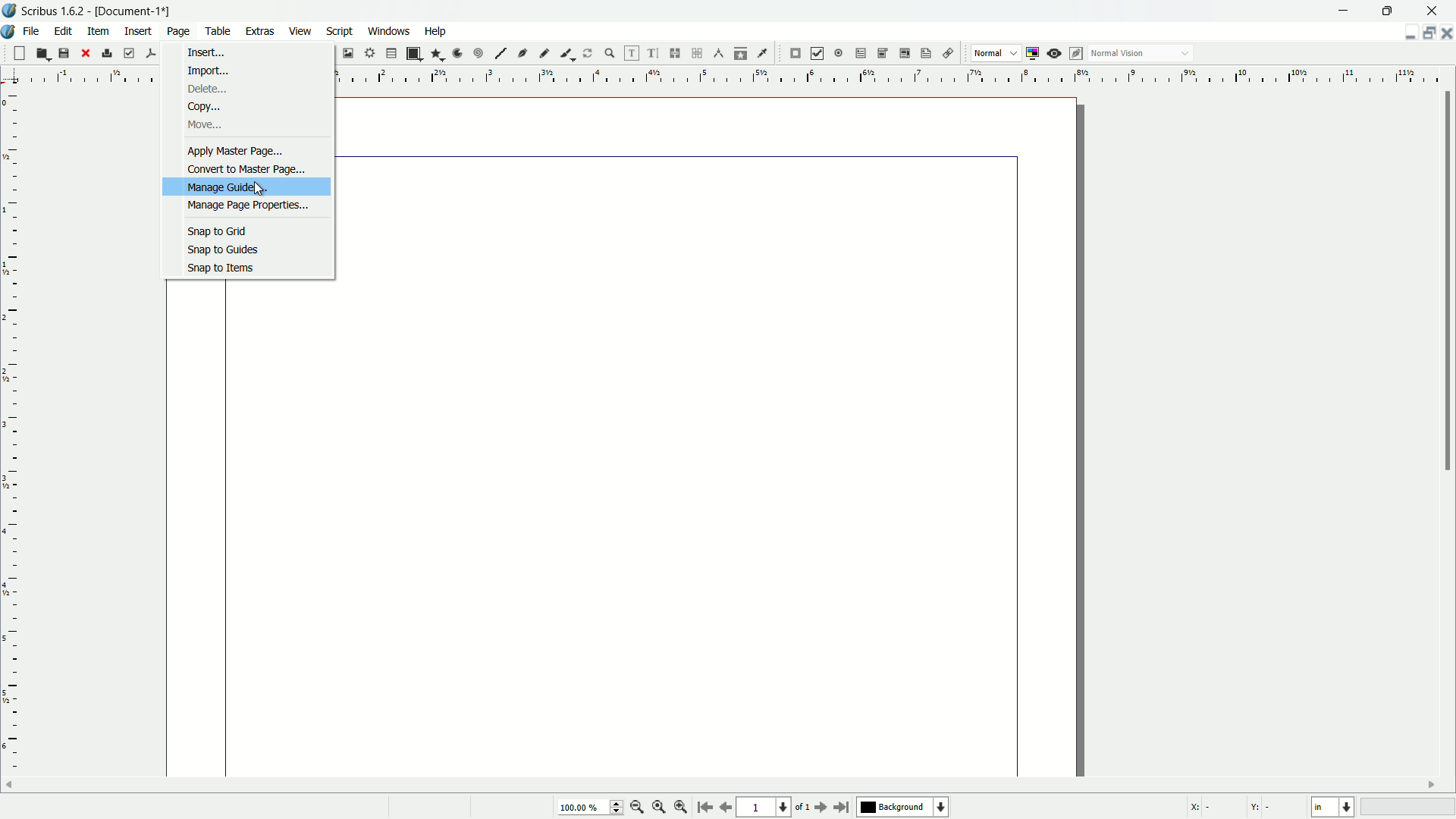 The width and height of the screenshot is (1456, 819). What do you see at coordinates (9, 11) in the screenshot?
I see `app icon` at bounding box center [9, 11].